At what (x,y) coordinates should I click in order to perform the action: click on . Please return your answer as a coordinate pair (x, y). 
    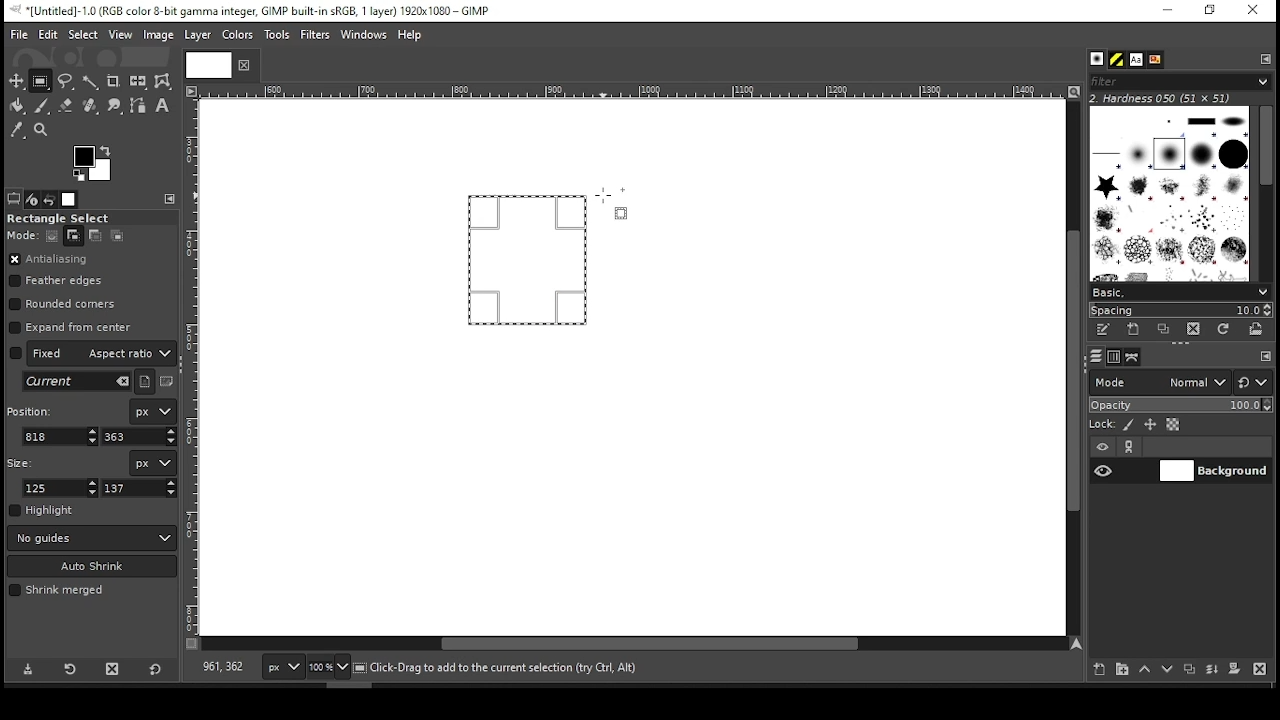
    Looking at the image, I should click on (629, 92).